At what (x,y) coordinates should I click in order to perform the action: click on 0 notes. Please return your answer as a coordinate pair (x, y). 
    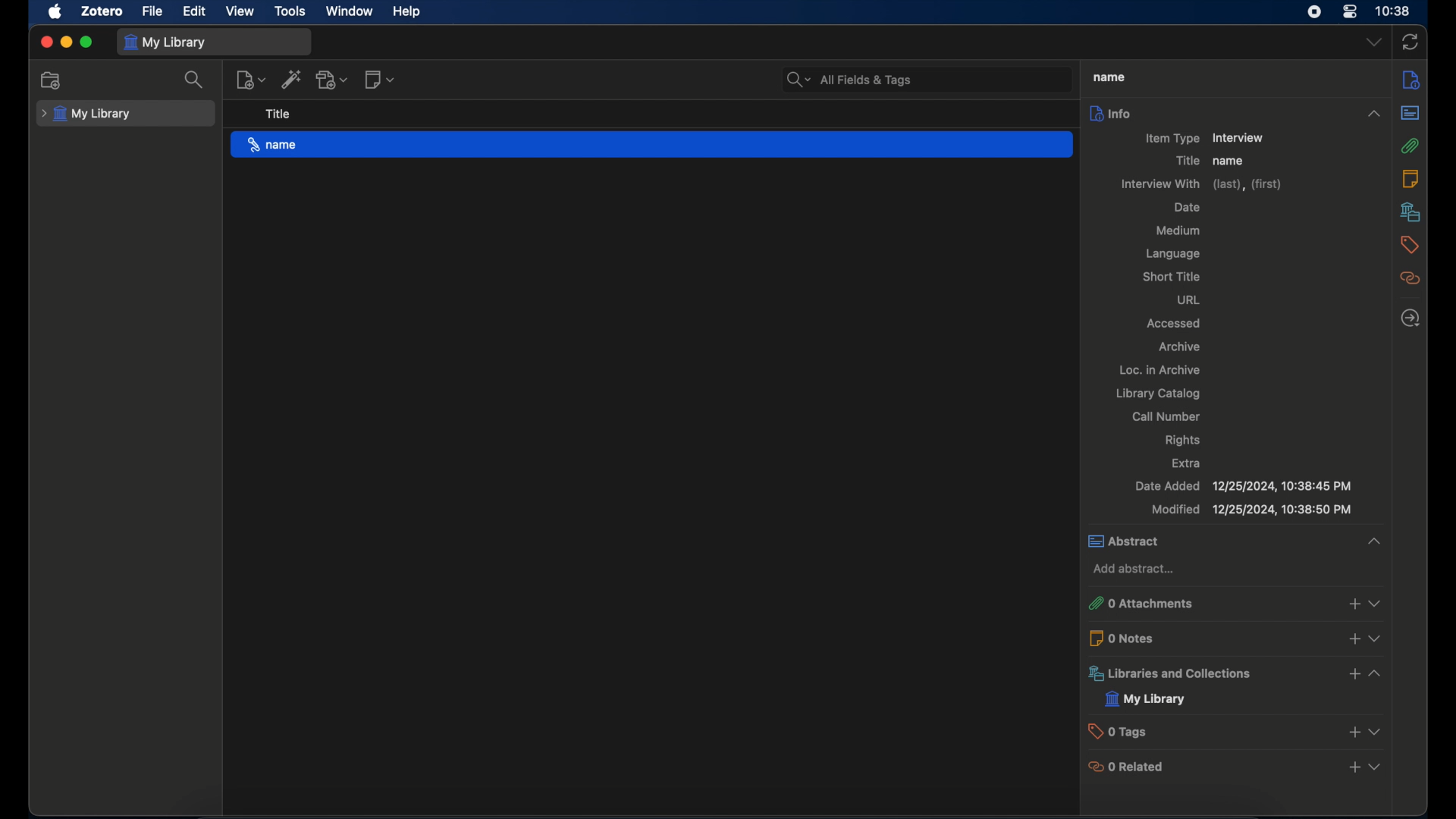
    Looking at the image, I should click on (1125, 639).